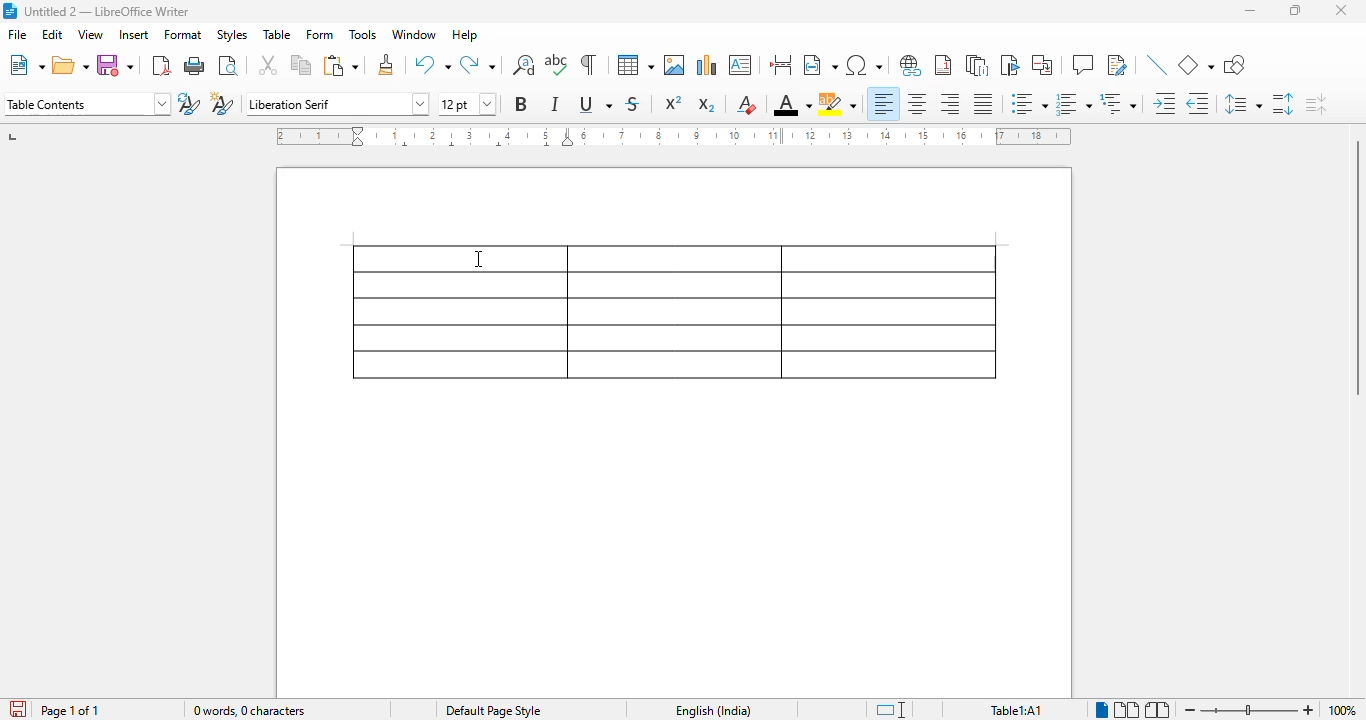 This screenshot has height=720, width=1366. I want to click on zoom out, so click(1190, 710).